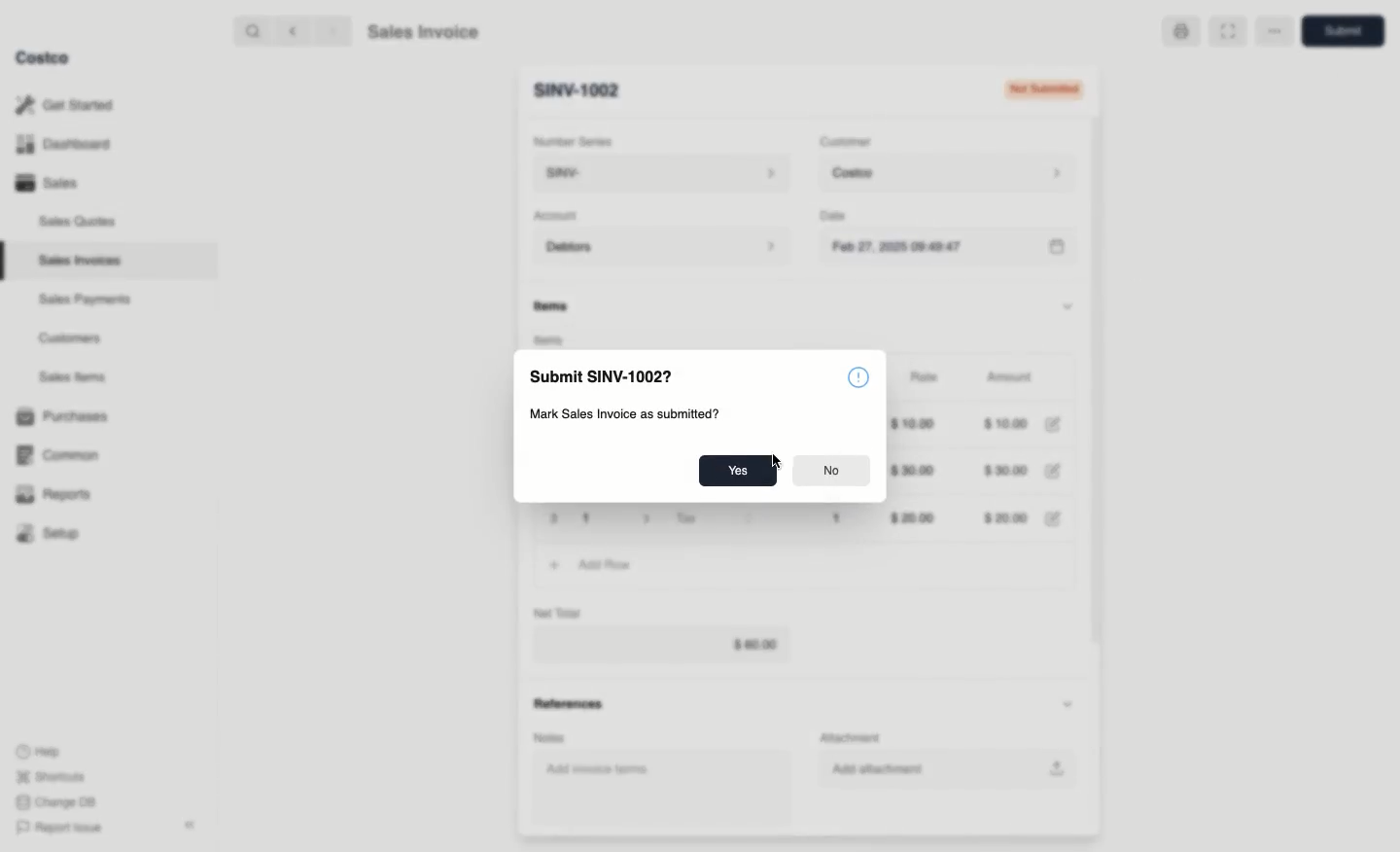 This screenshot has height=852, width=1400. I want to click on forward, so click(330, 30).